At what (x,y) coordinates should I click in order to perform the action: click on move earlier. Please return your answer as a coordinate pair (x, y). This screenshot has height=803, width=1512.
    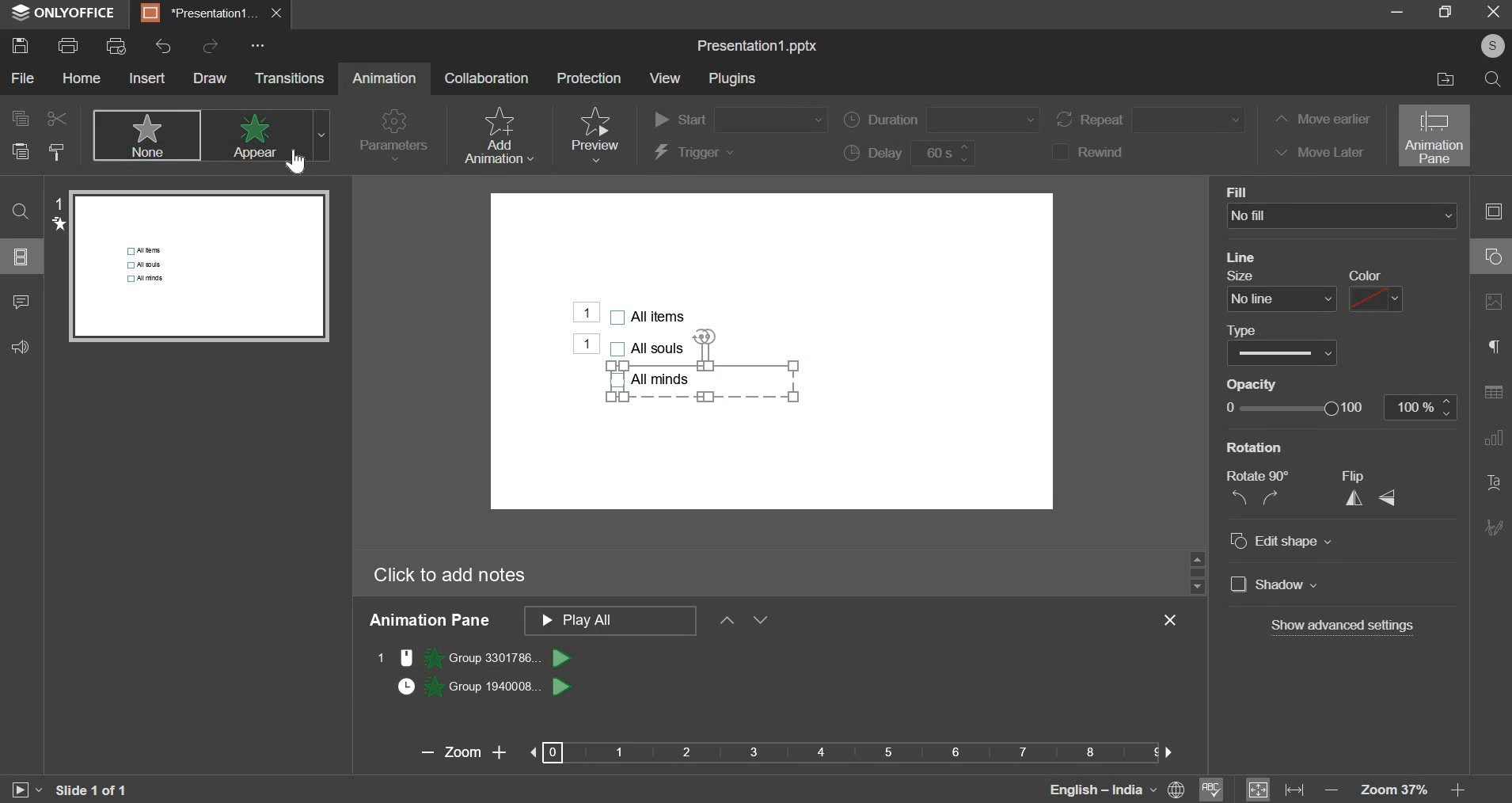
    Looking at the image, I should click on (1320, 120).